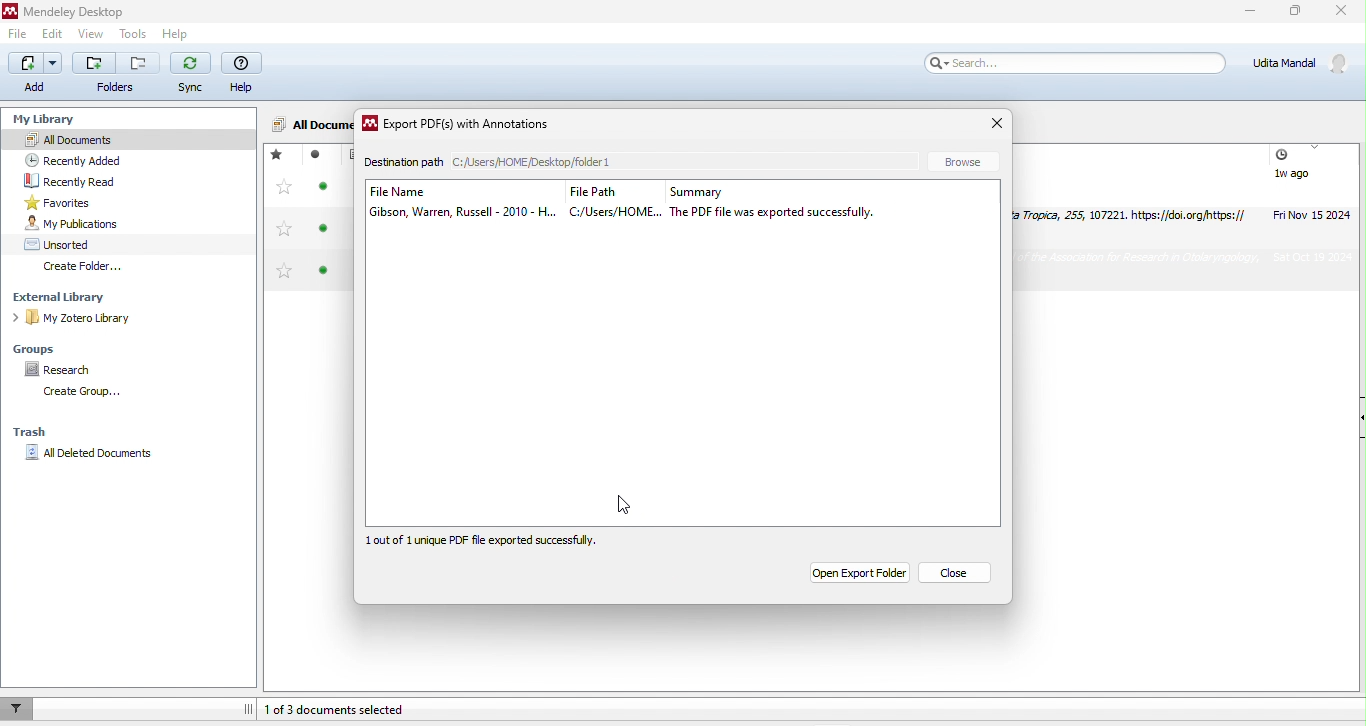 The width and height of the screenshot is (1366, 726). Describe the element at coordinates (57, 34) in the screenshot. I see `edit` at that location.